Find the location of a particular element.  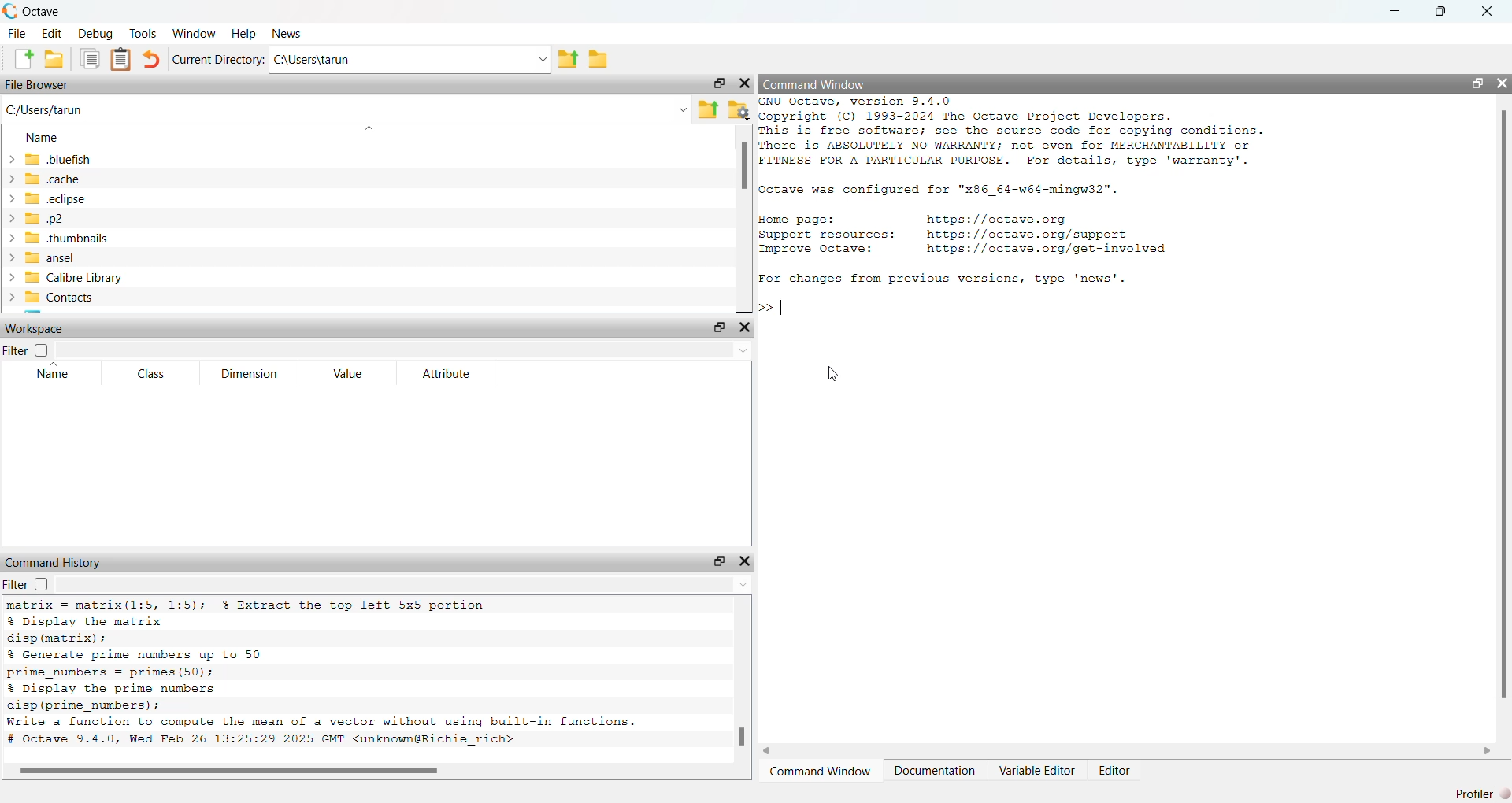

Drop-down  is located at coordinates (745, 584).